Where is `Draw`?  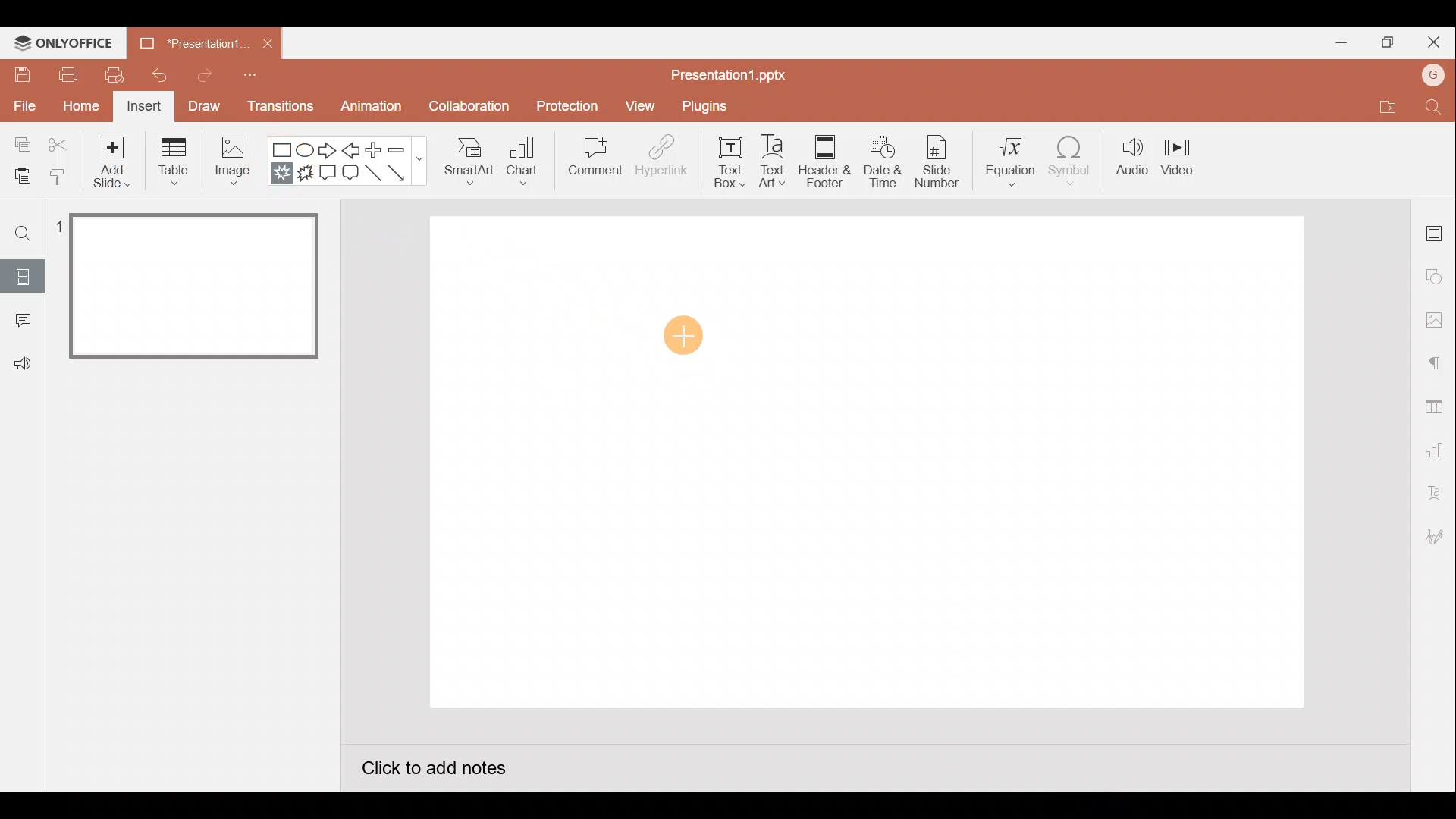 Draw is located at coordinates (204, 108).